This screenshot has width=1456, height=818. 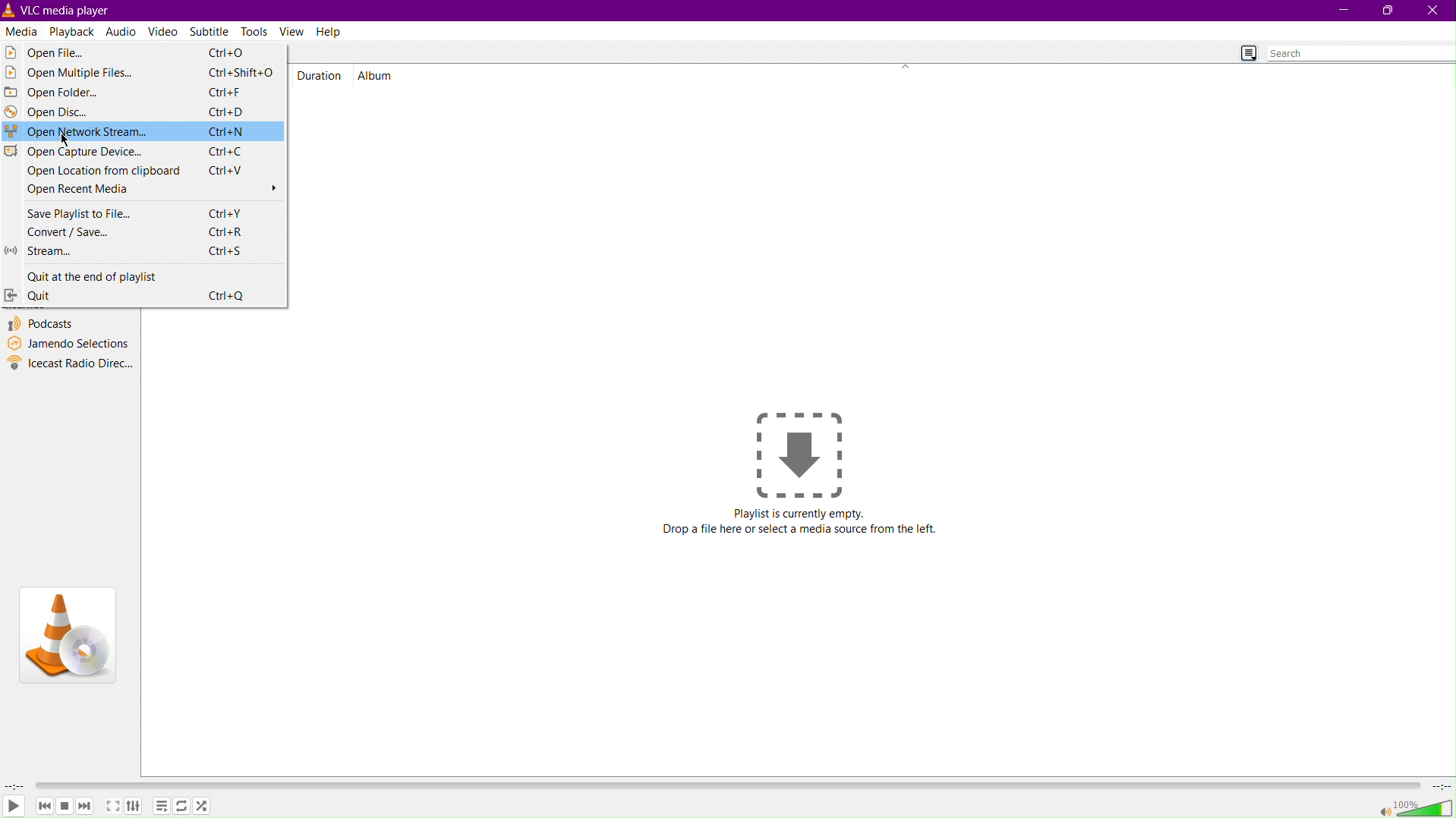 I want to click on Audio, so click(x=121, y=30).